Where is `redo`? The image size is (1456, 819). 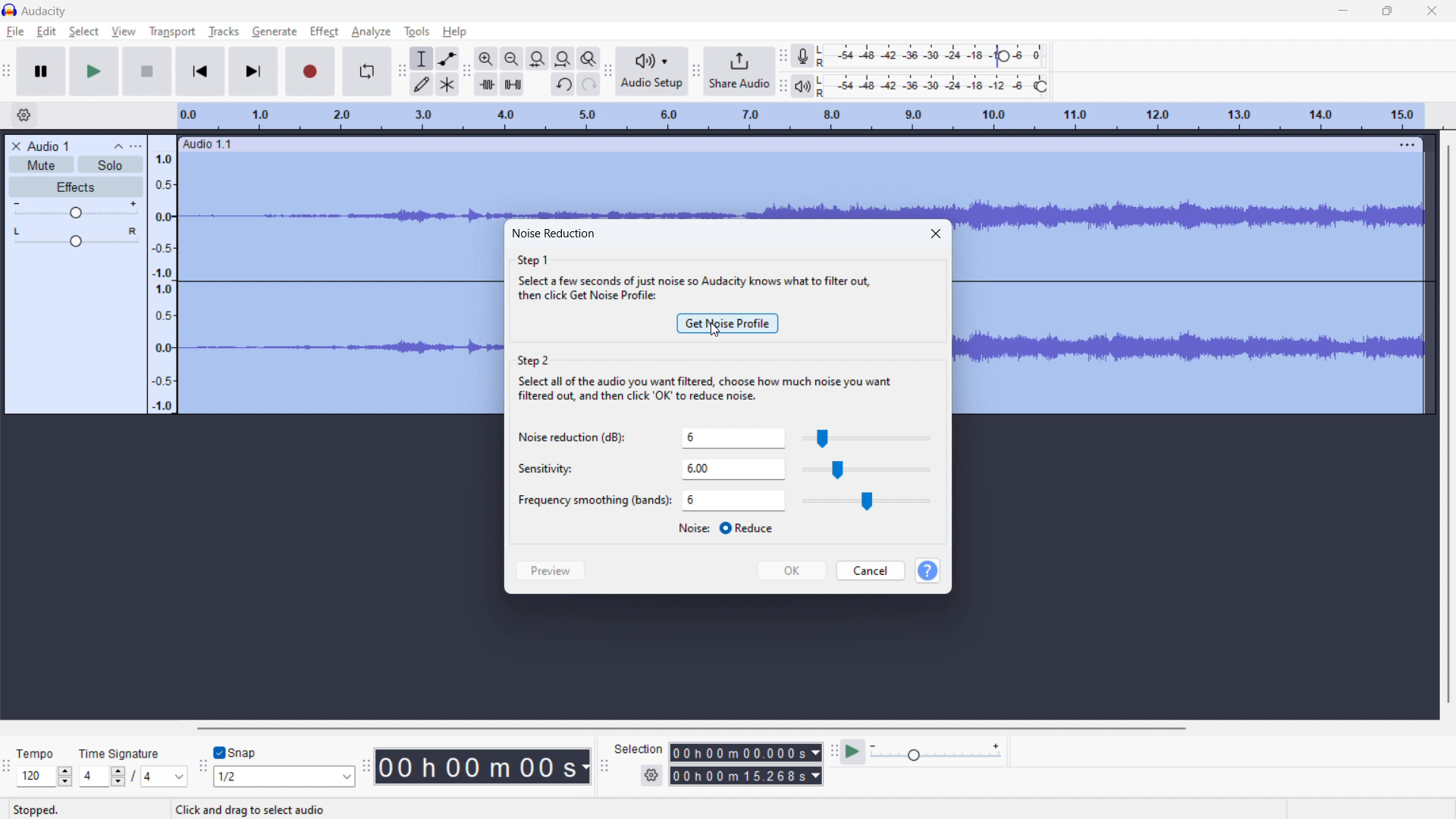 redo is located at coordinates (589, 83).